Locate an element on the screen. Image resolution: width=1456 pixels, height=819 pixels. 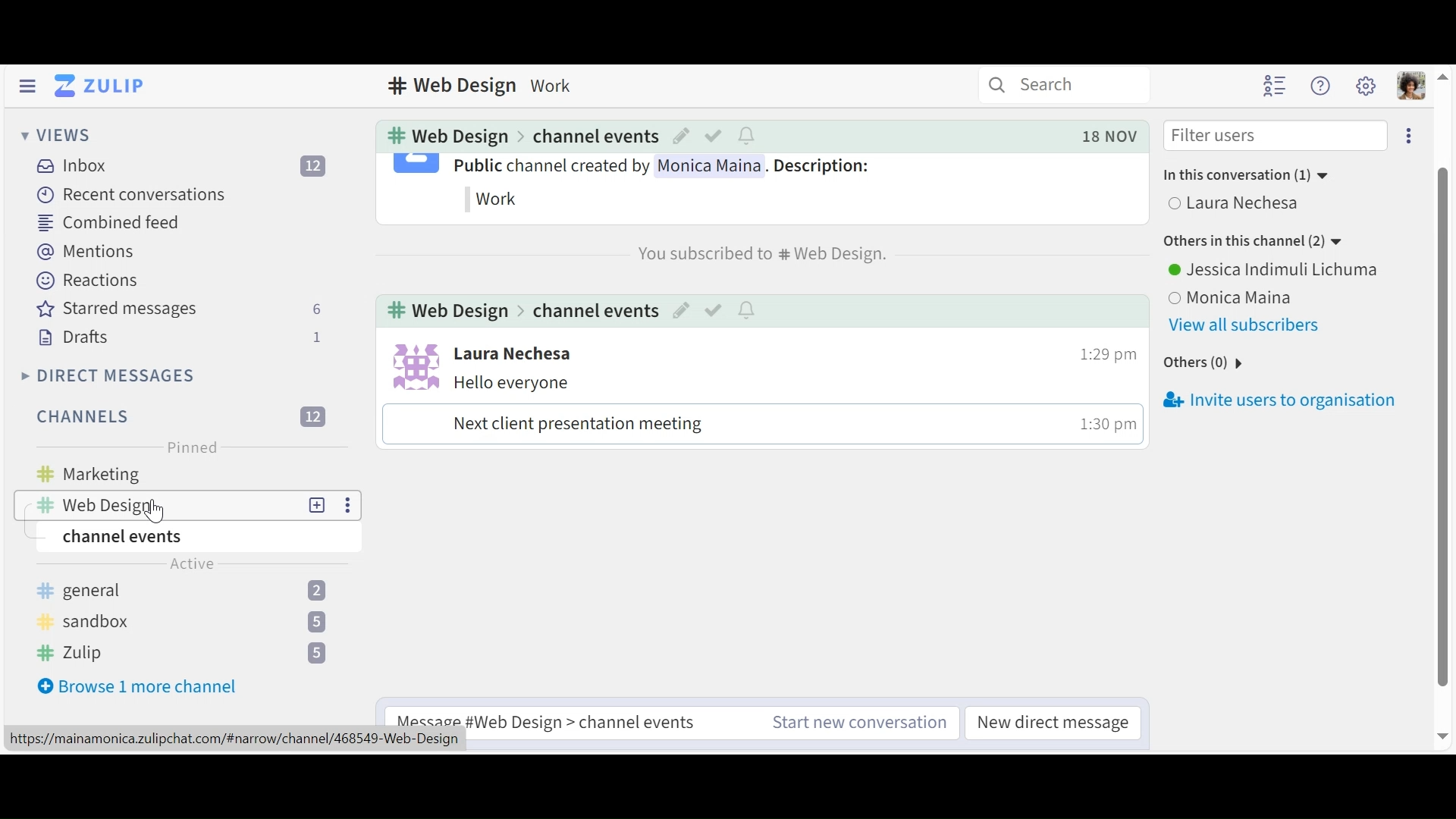
Mentions is located at coordinates (84, 253).